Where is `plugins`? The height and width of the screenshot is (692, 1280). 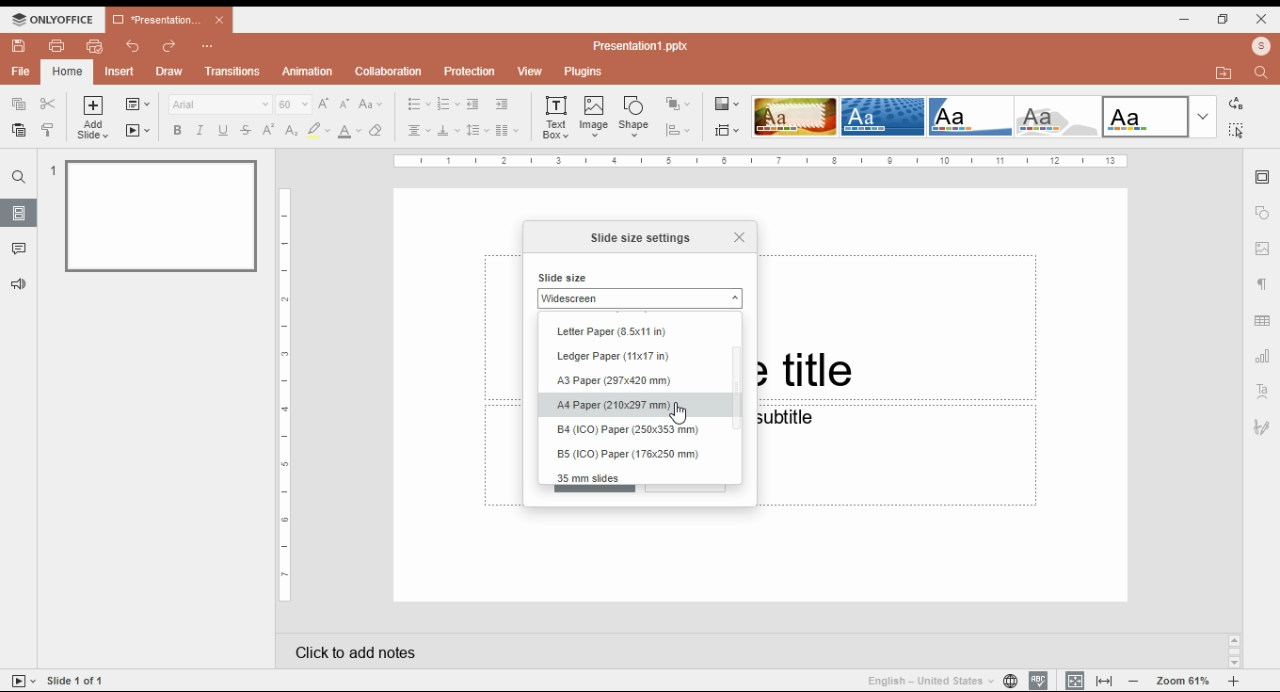
plugins is located at coordinates (584, 72).